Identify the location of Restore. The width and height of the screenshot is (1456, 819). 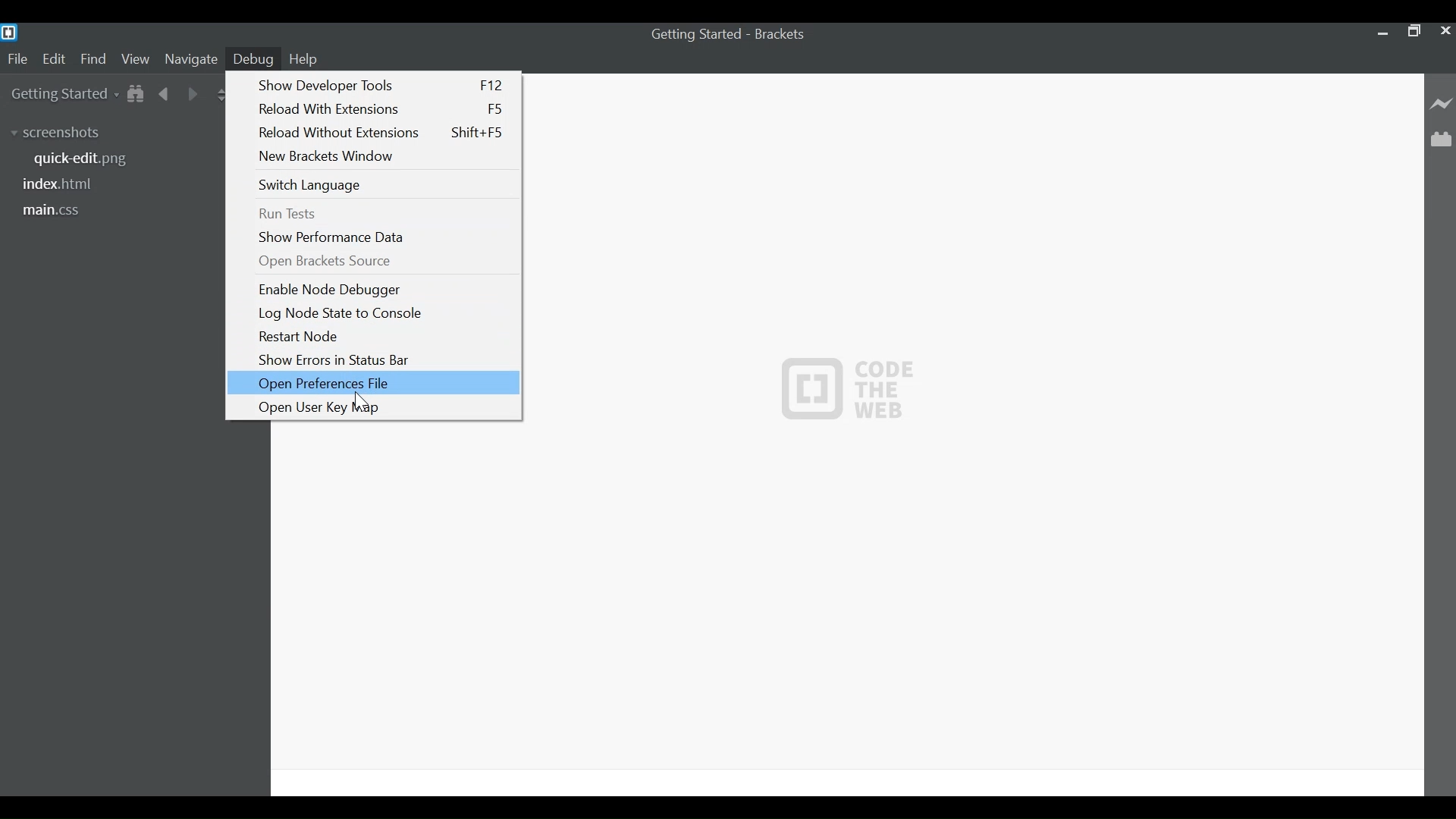
(1414, 30).